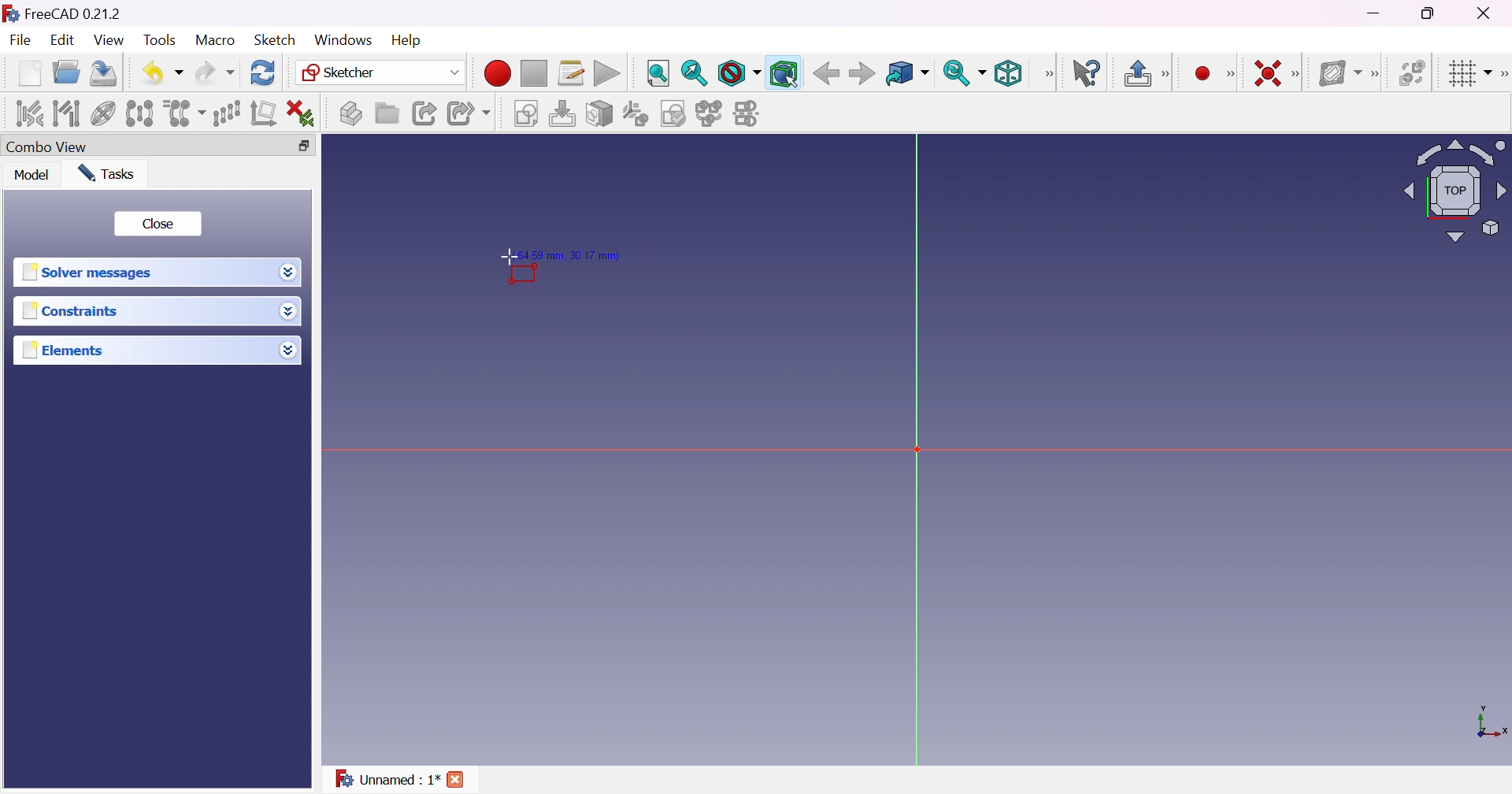  Describe the element at coordinates (862, 74) in the screenshot. I see `Forward` at that location.